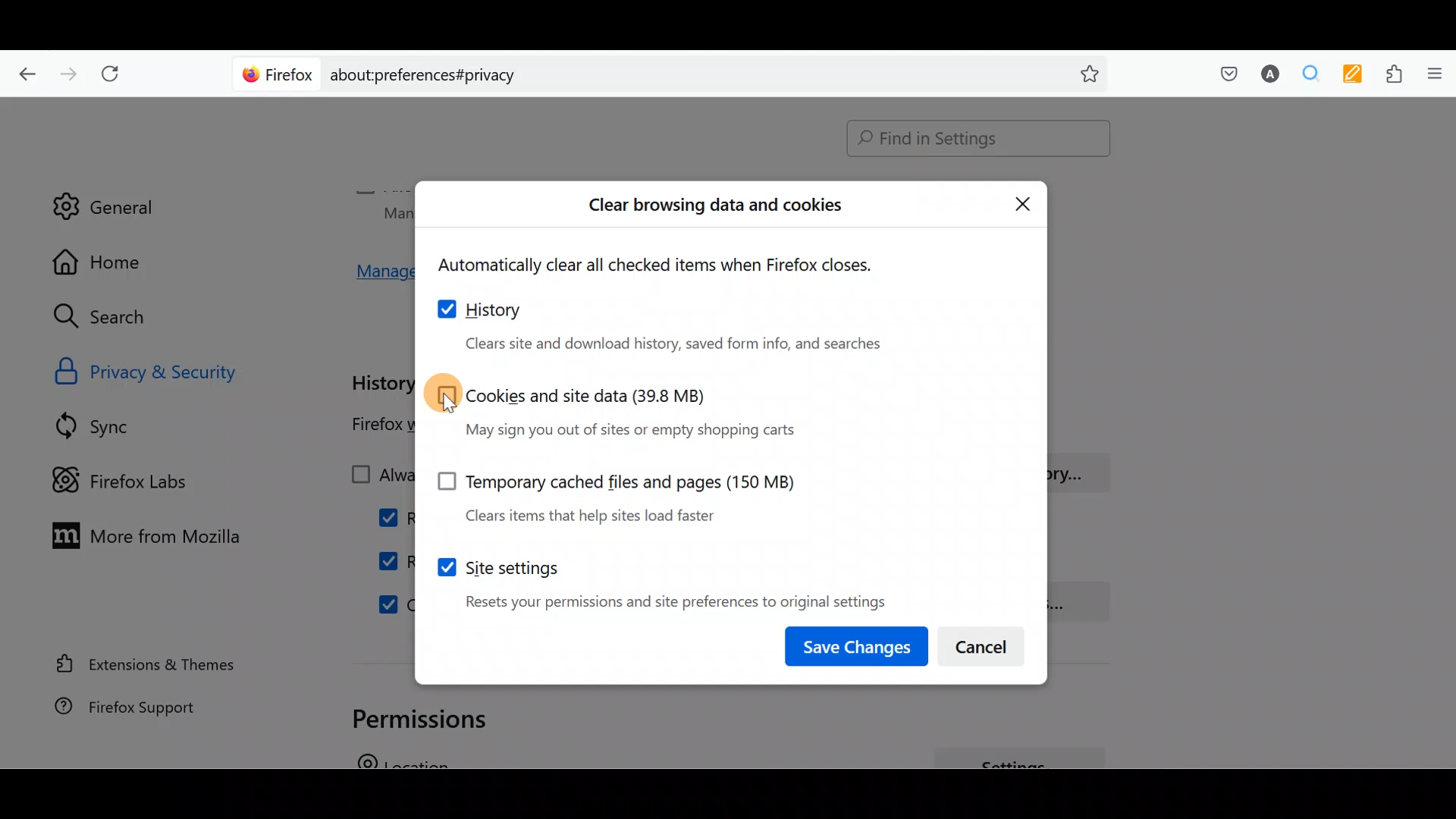 The height and width of the screenshot is (819, 1456). I want to click on Clear browsing data and cookies, so click(717, 209).